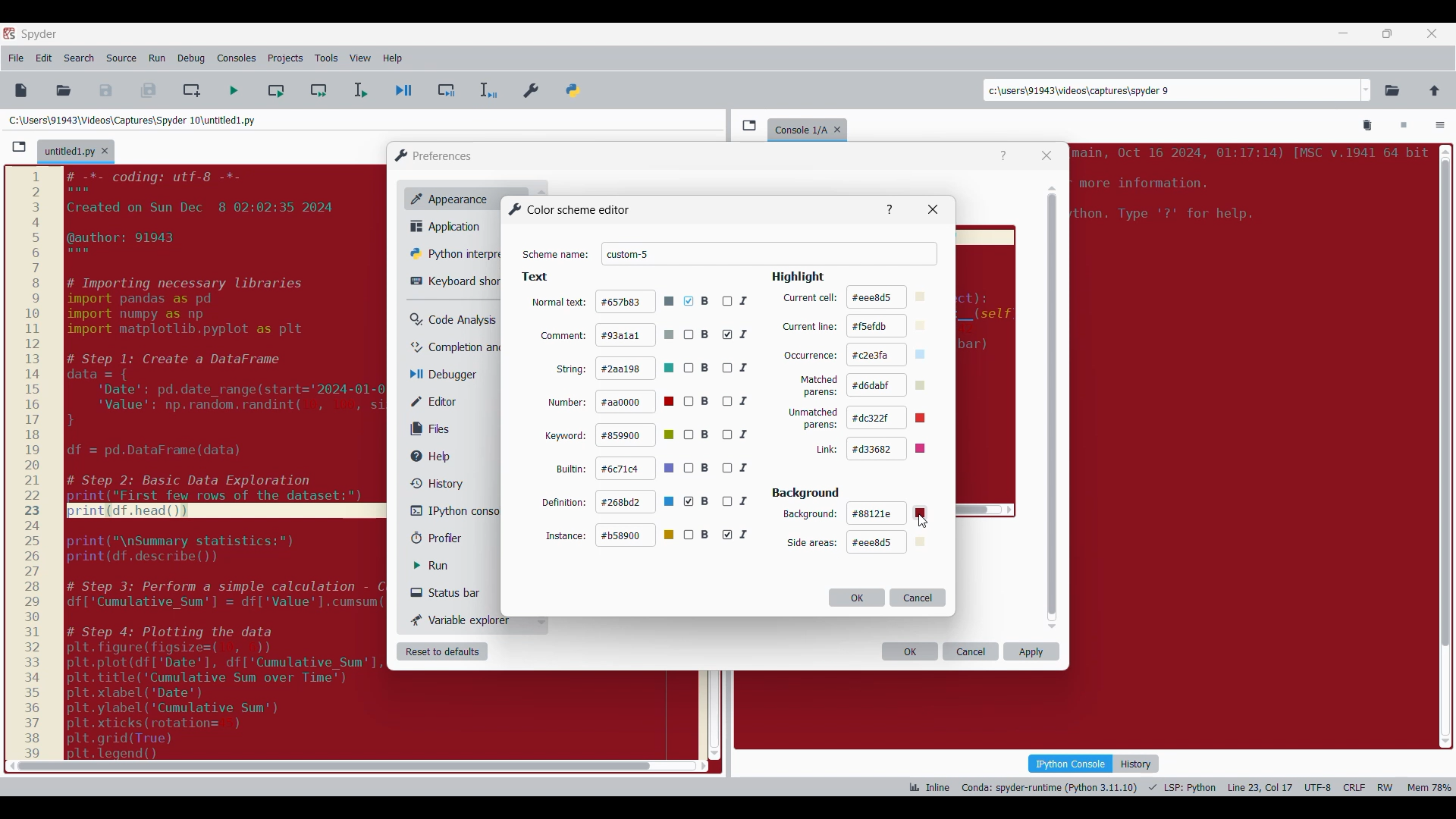 The width and height of the screenshot is (1456, 819). Describe the element at coordinates (1440, 127) in the screenshot. I see `Options` at that location.